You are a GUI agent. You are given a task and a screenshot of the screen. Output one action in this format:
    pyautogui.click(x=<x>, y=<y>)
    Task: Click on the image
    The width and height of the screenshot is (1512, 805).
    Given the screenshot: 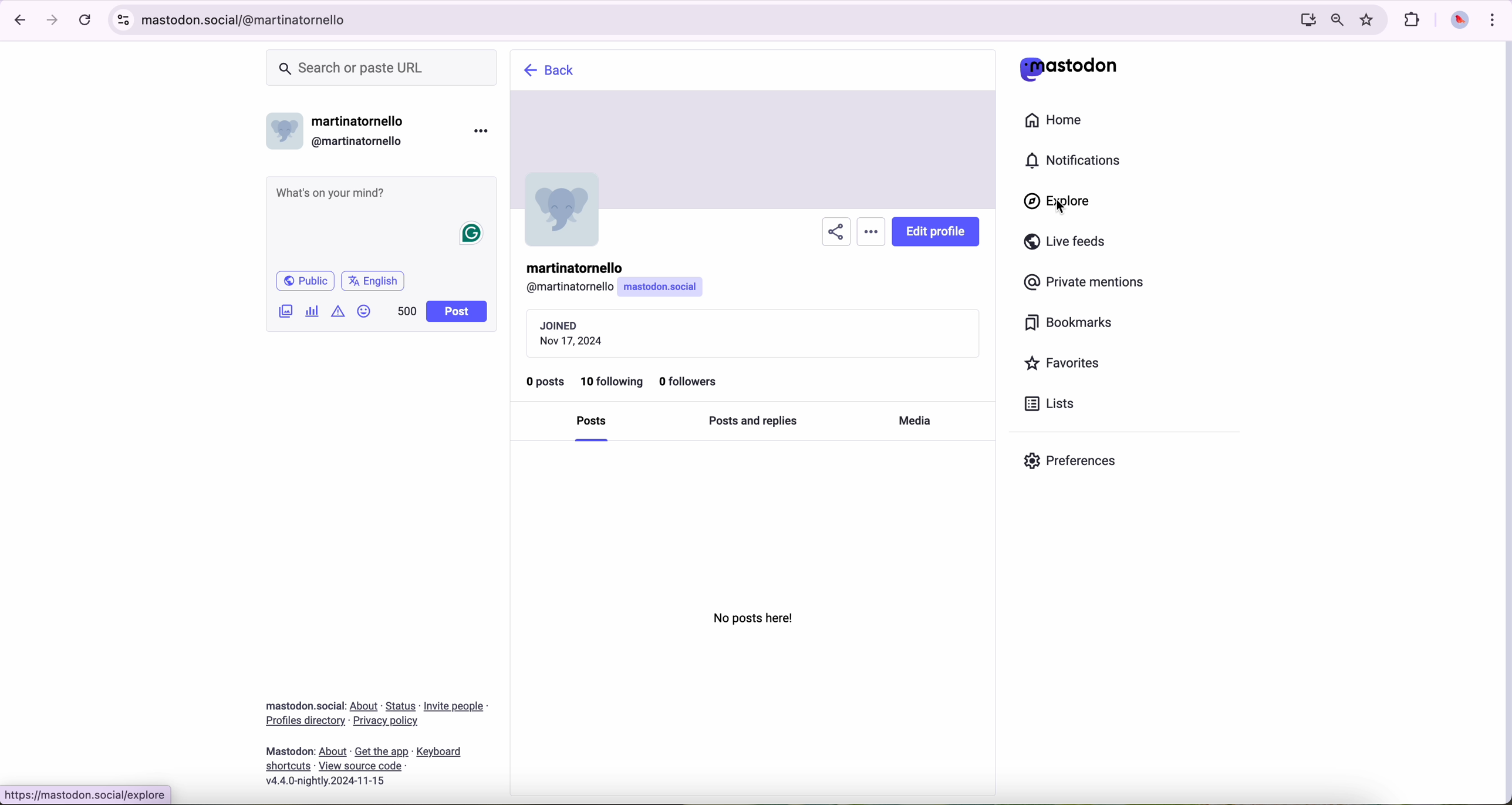 What is the action you would take?
    pyautogui.click(x=285, y=313)
    